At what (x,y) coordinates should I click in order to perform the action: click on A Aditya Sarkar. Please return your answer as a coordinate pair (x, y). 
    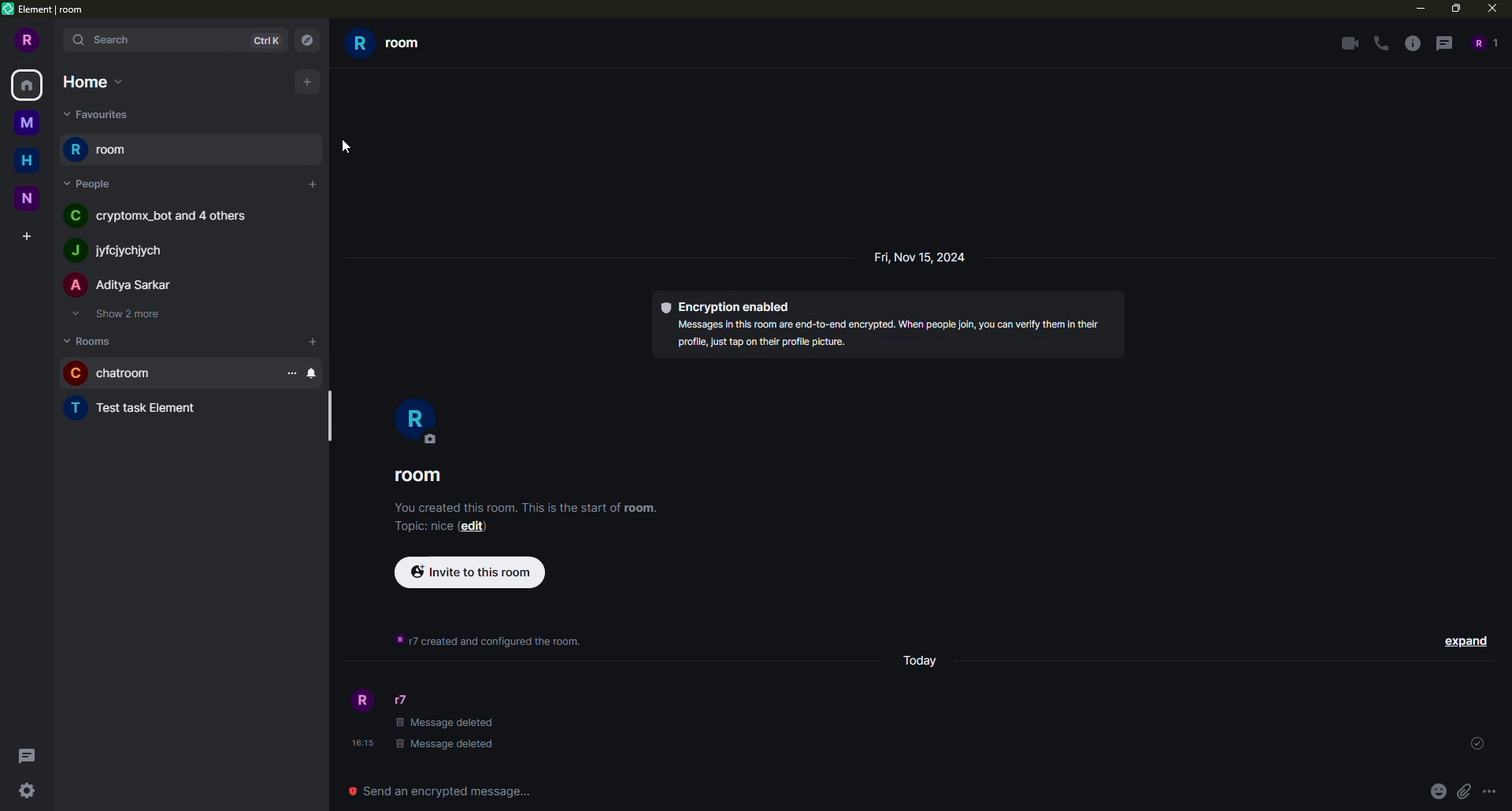
    Looking at the image, I should click on (117, 284).